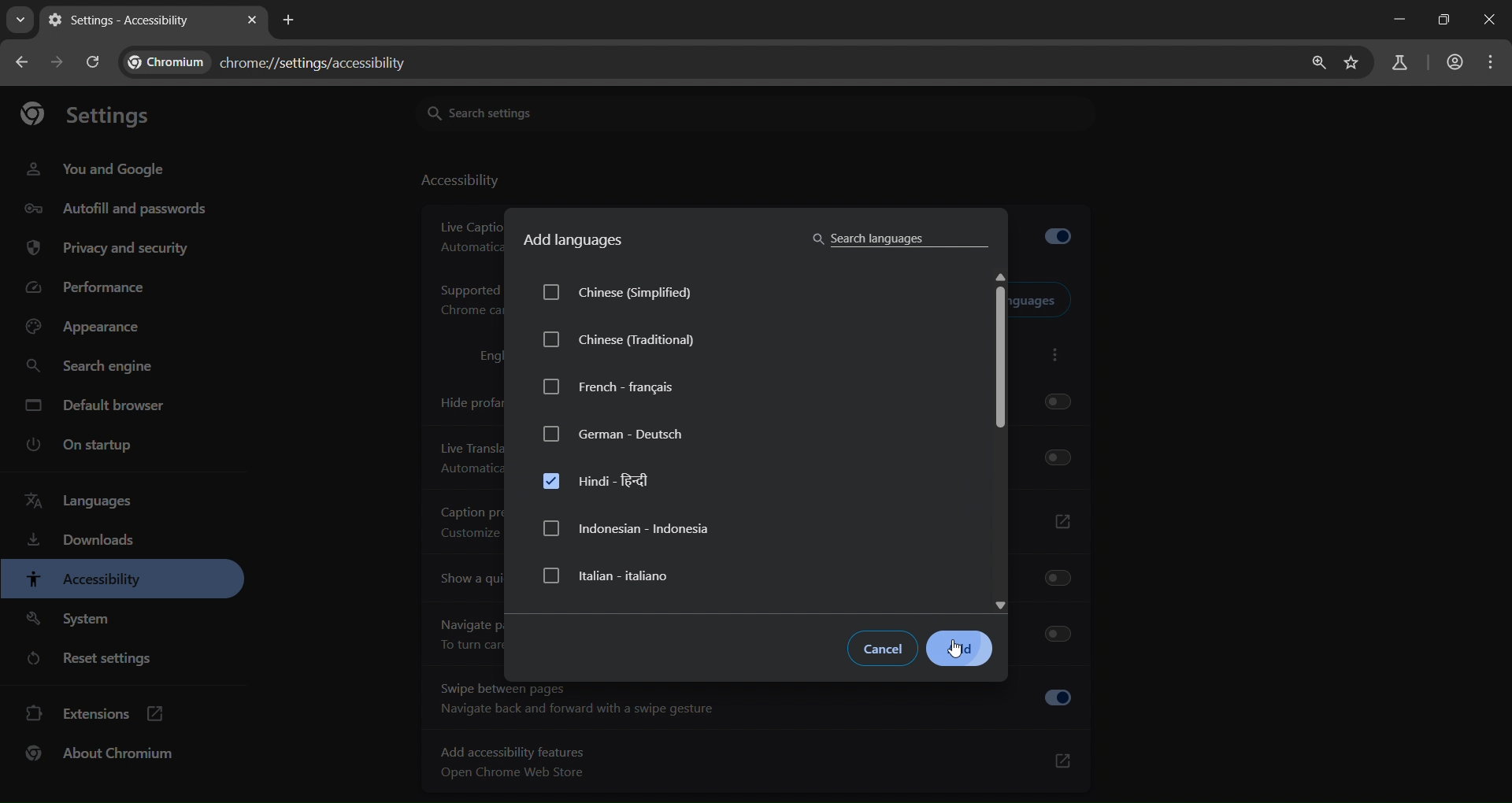 This screenshot has height=803, width=1512. I want to click on reload page, so click(95, 62).